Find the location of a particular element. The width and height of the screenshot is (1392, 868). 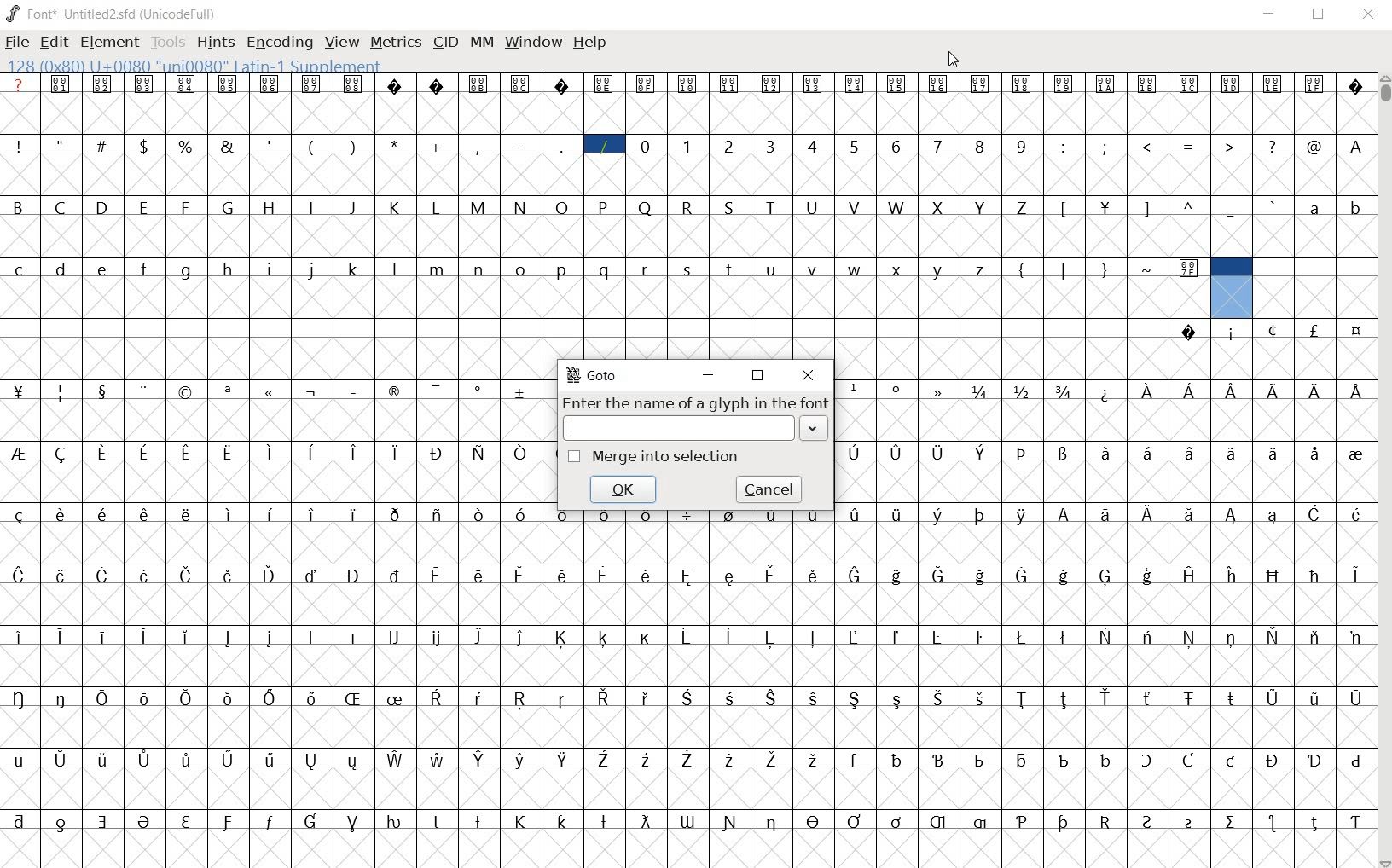

Symbol is located at coordinates (149, 636).